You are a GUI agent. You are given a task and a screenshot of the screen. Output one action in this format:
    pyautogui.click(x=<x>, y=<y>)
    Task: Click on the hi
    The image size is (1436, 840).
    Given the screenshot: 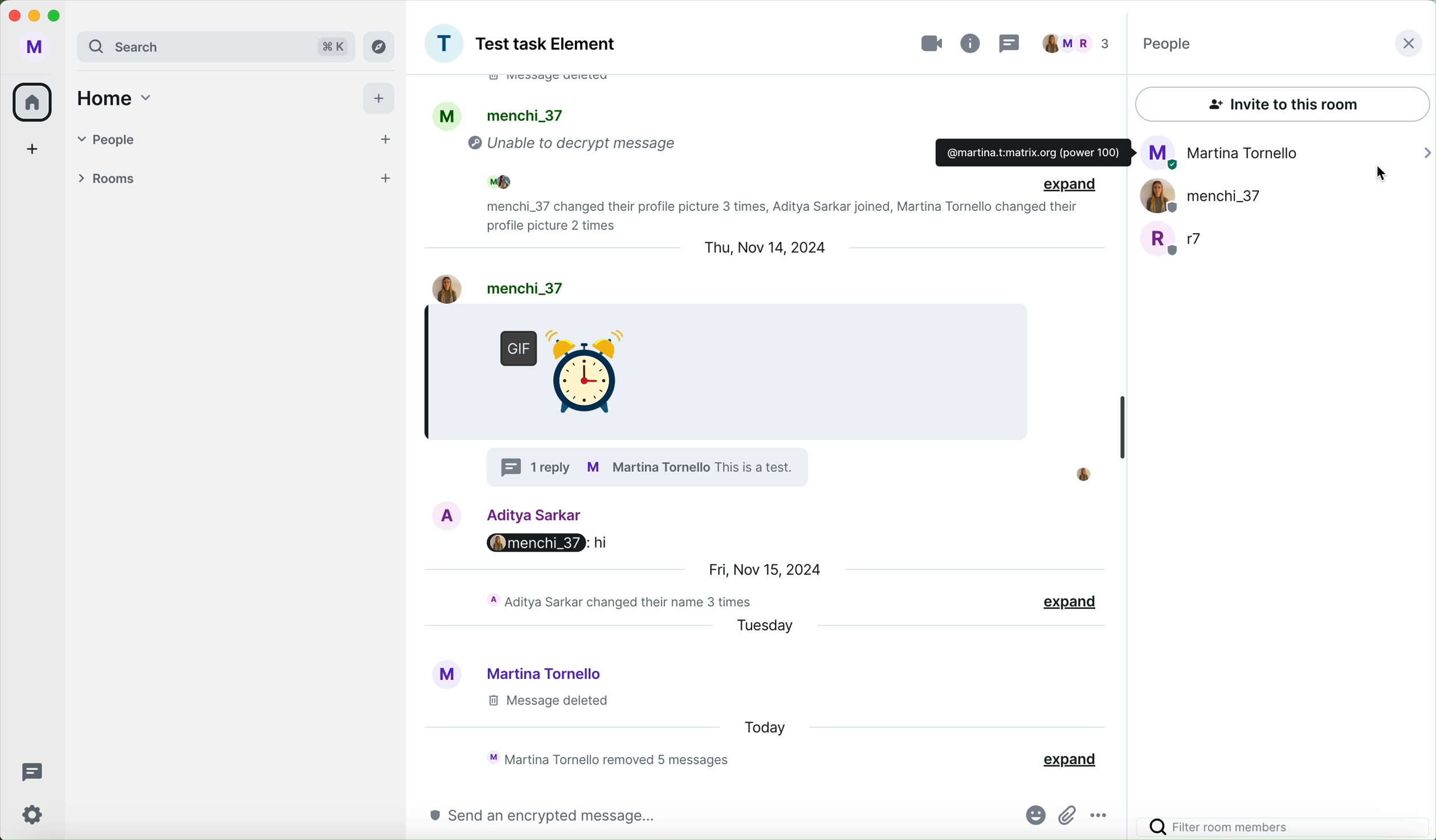 What is the action you would take?
    pyautogui.click(x=600, y=541)
    